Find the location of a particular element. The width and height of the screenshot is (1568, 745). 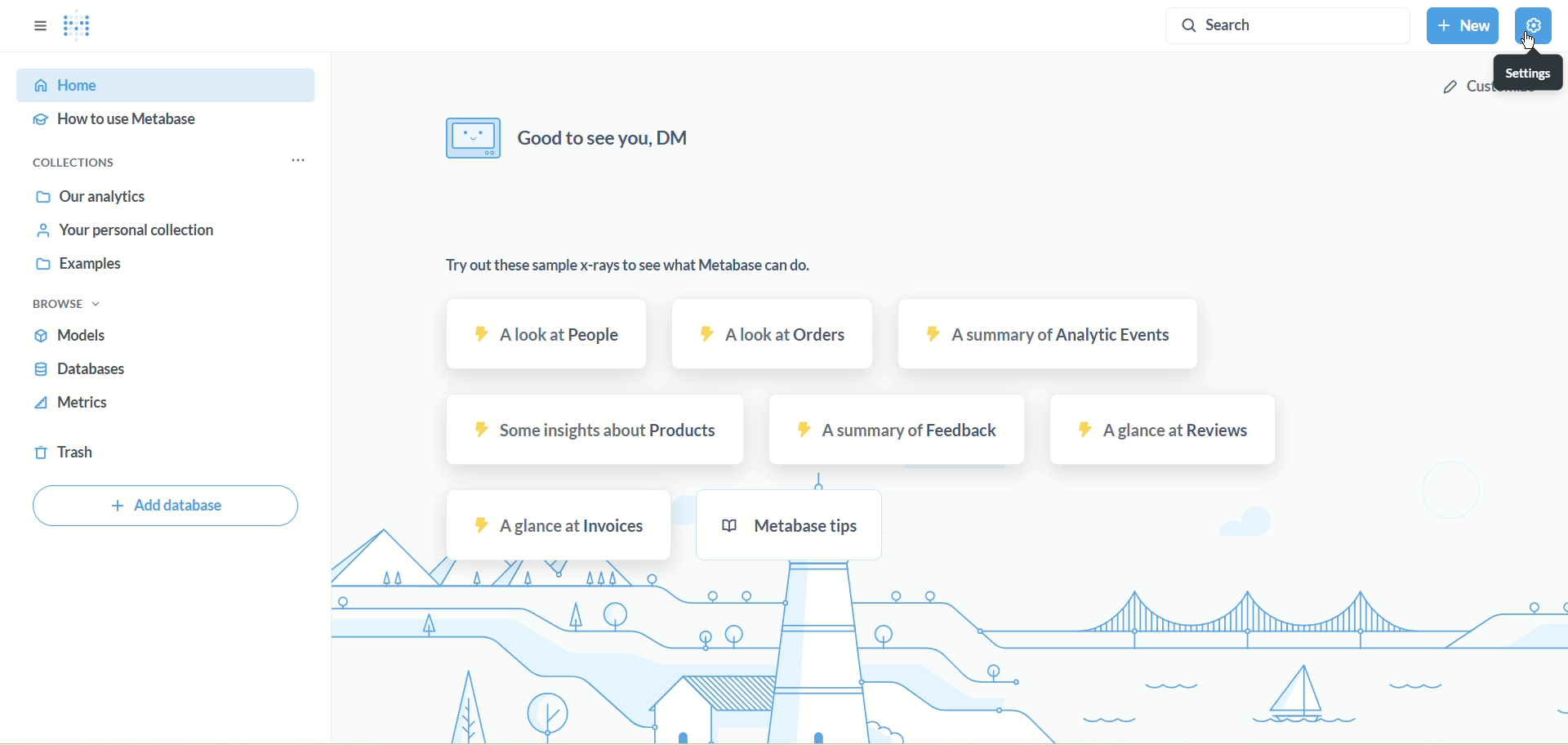

your personal collection is located at coordinates (126, 229).